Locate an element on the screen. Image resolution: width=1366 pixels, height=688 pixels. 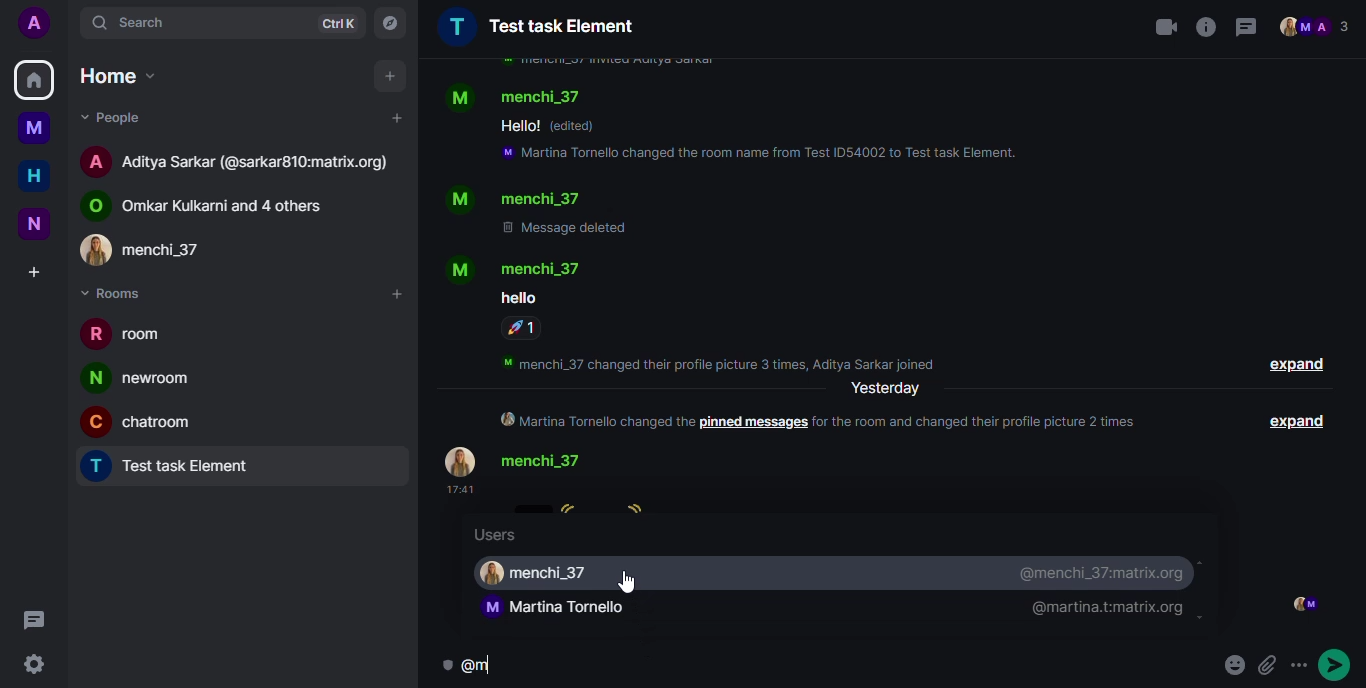
cursor is located at coordinates (635, 582).